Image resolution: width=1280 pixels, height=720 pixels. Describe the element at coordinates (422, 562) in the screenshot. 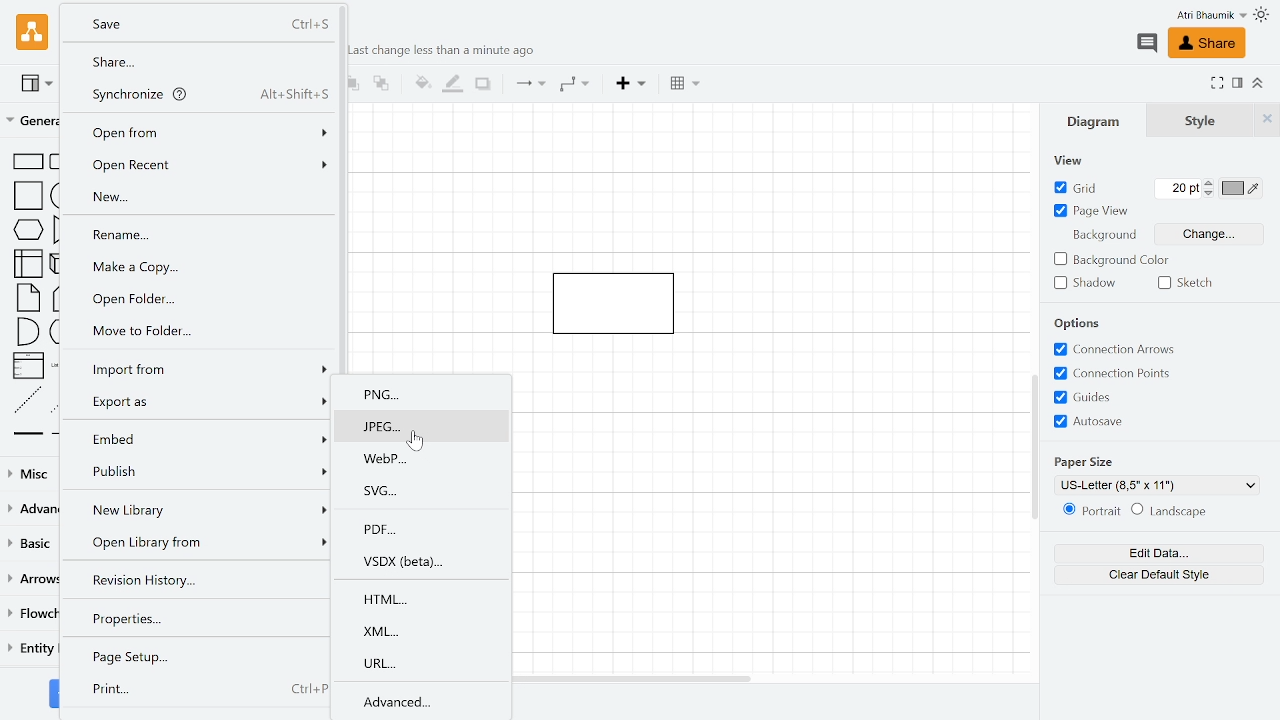

I see `VSDX(beta)` at that location.